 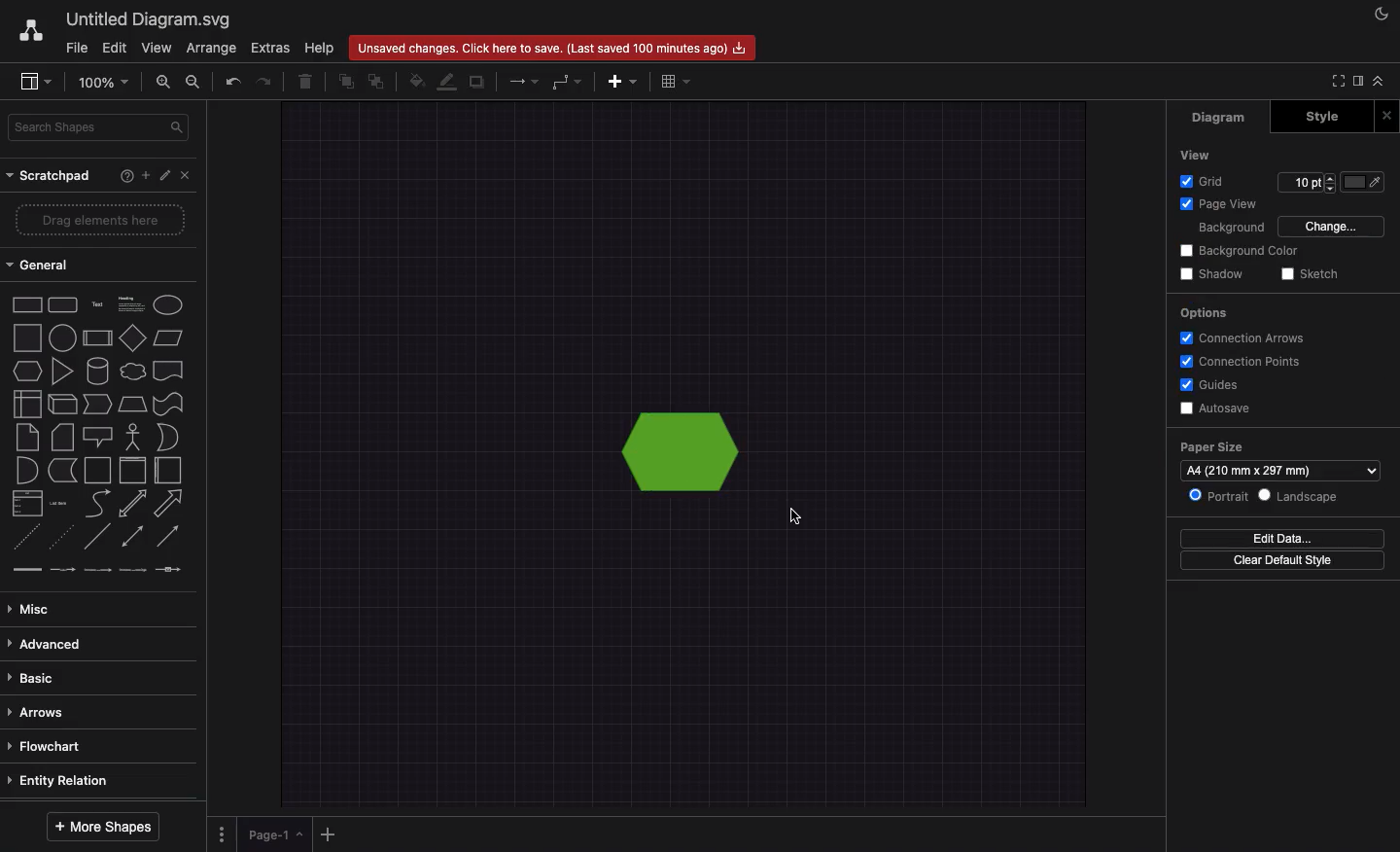 I want to click on Full screen, so click(x=1336, y=81).